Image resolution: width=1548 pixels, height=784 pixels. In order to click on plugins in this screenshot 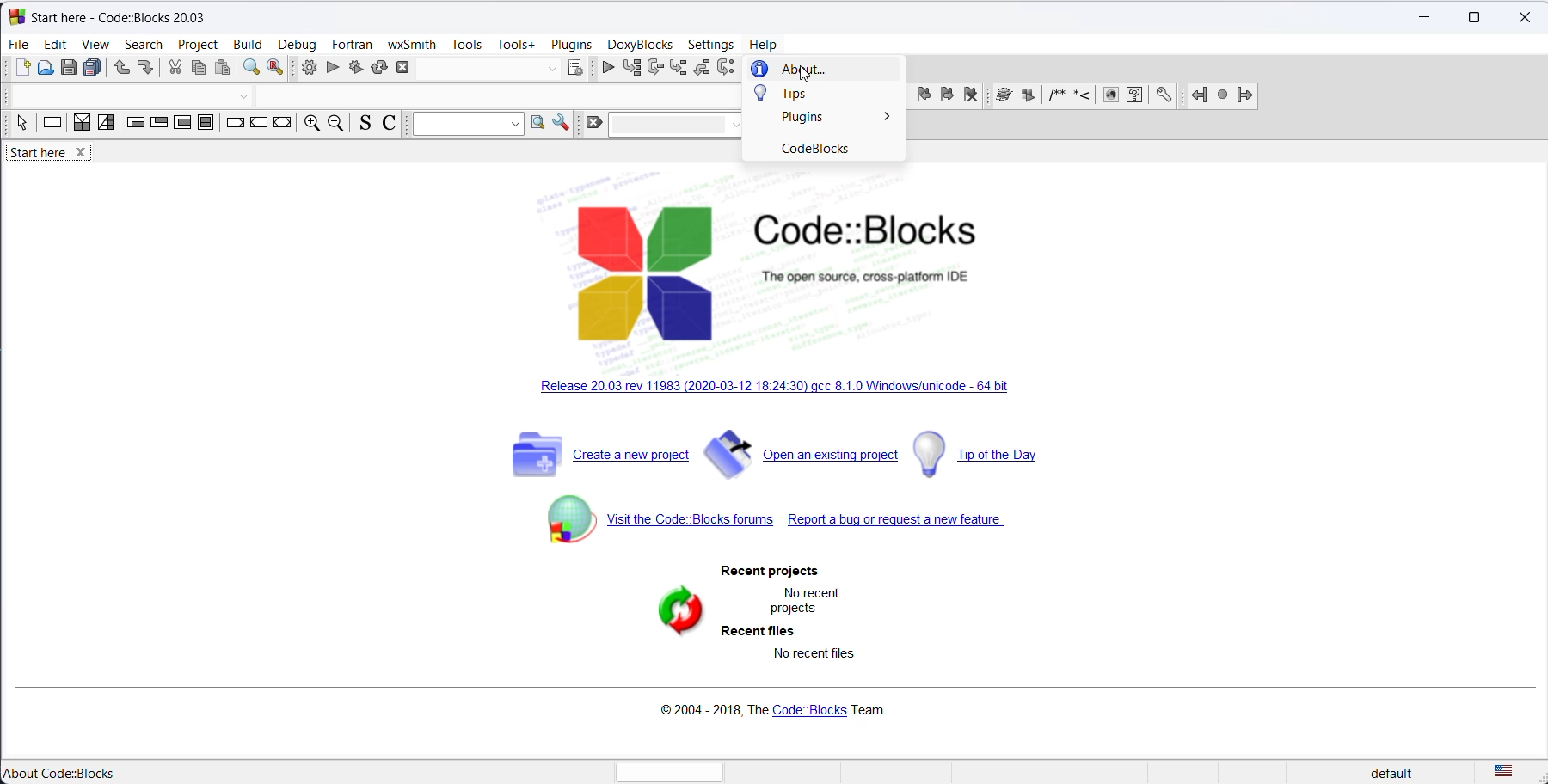, I will do `click(829, 123)`.